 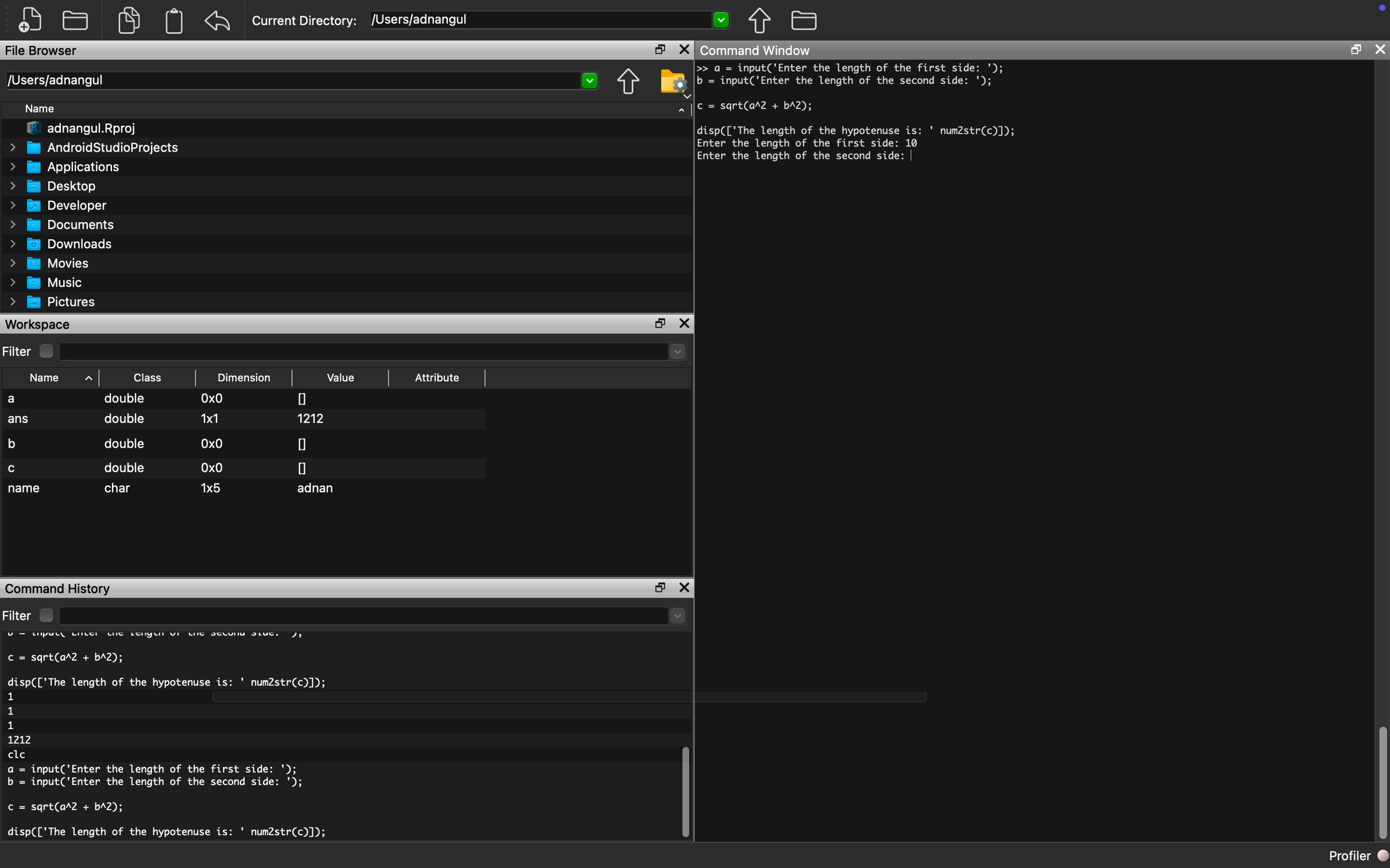 I want to click on folder settings, so click(x=674, y=82).